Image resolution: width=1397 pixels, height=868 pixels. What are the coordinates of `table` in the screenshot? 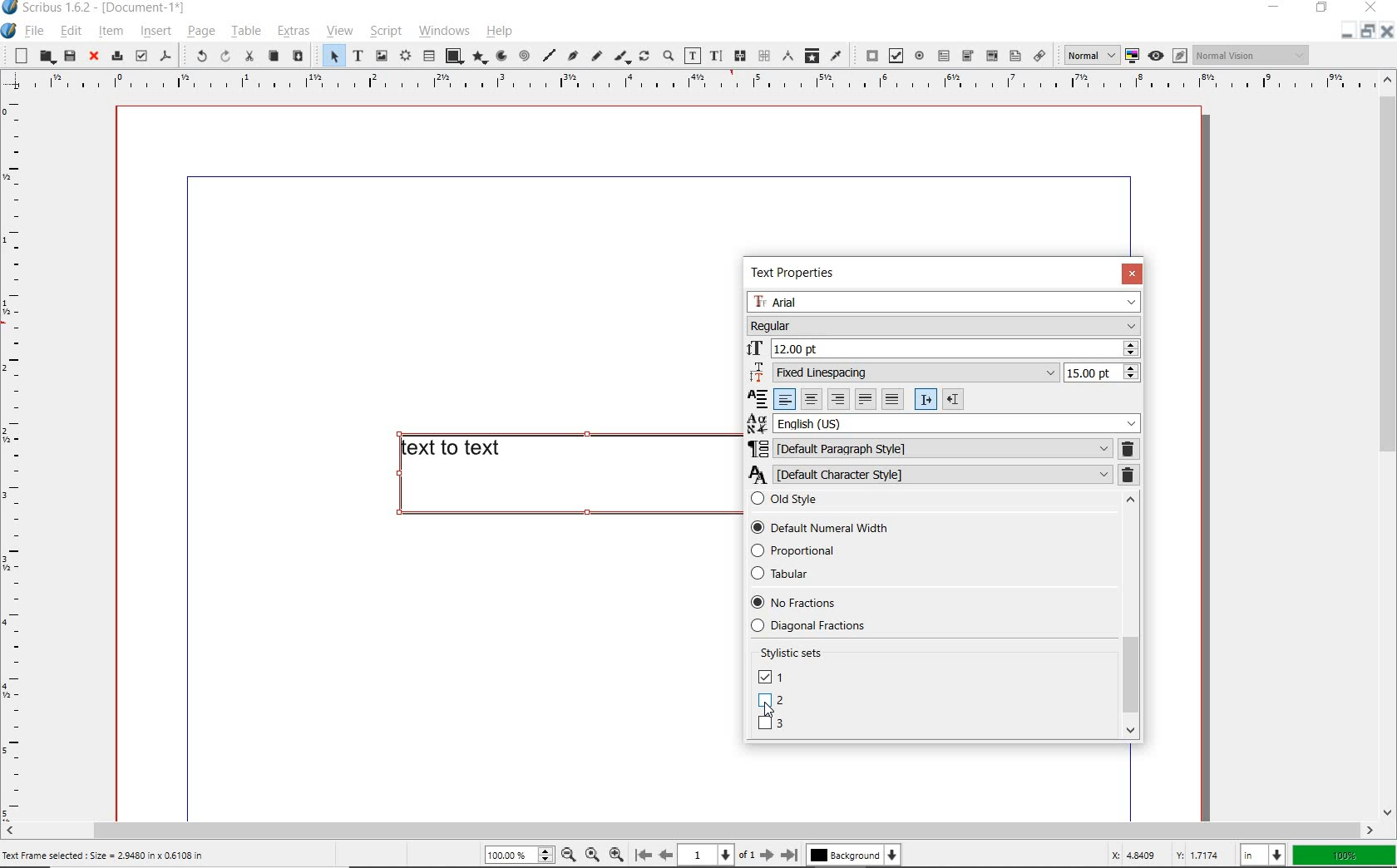 It's located at (429, 57).